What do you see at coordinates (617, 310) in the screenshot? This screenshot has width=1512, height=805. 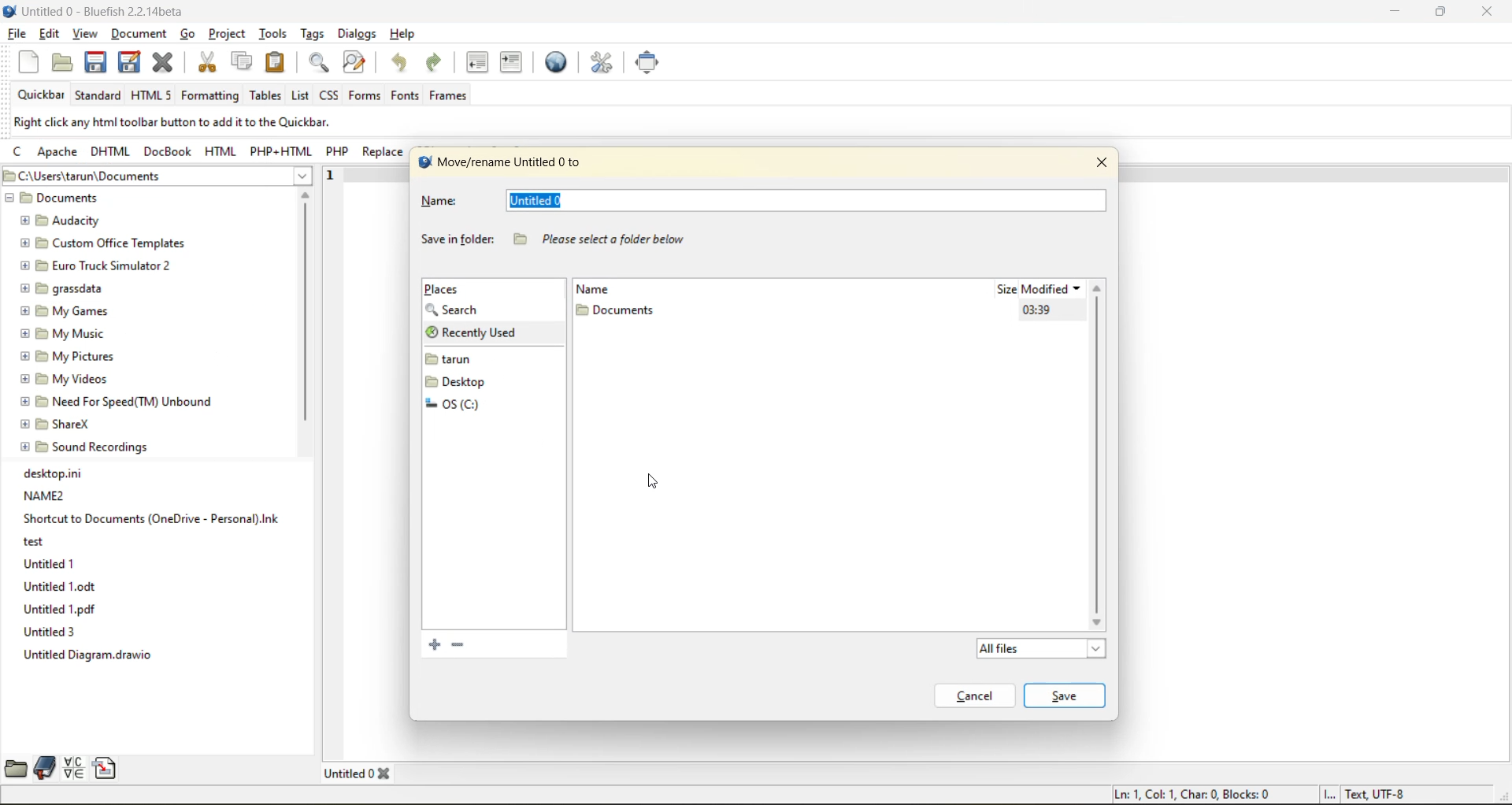 I see `folder name` at bounding box center [617, 310].